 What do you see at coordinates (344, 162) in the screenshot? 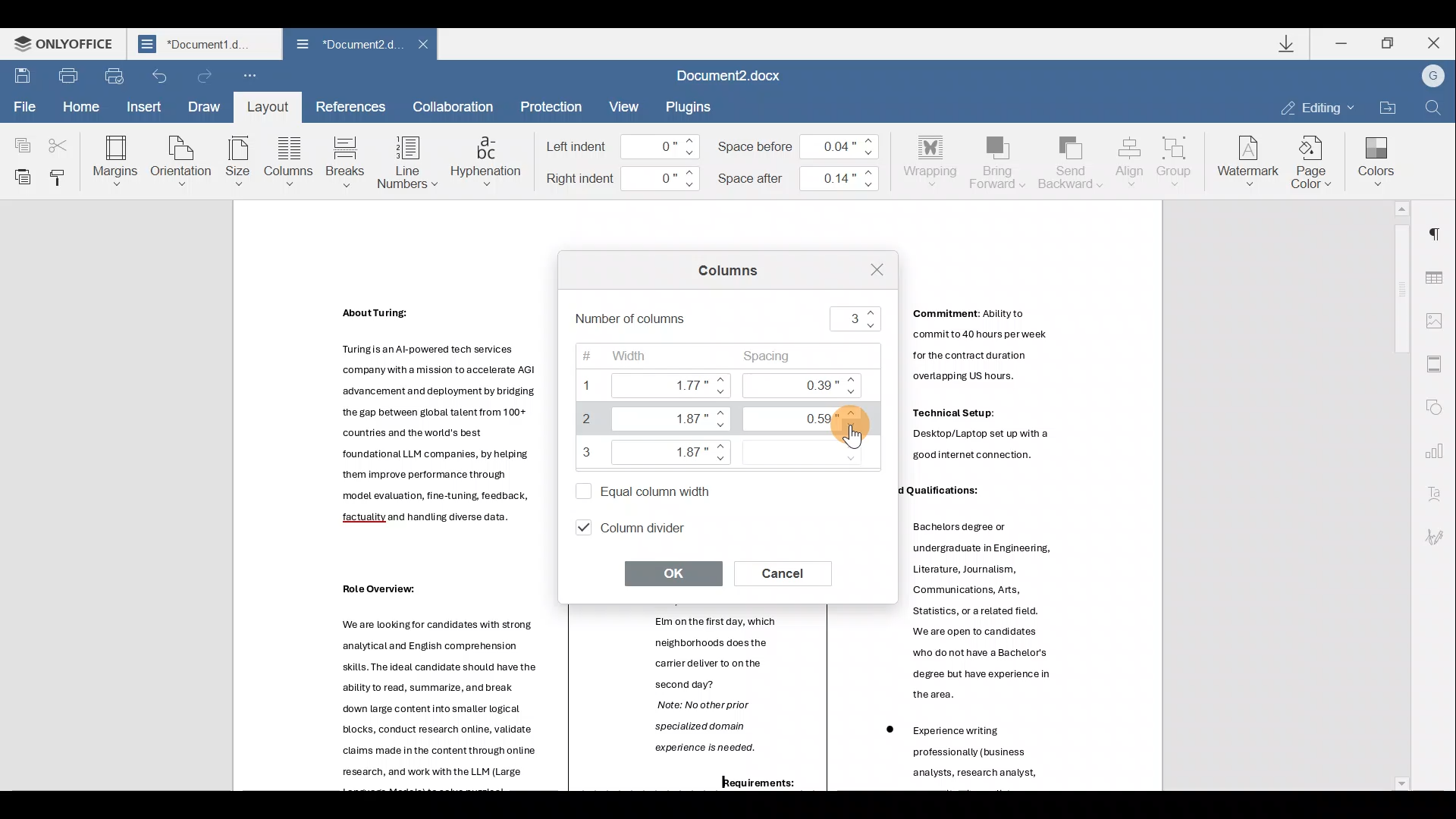
I see `Breaks` at bounding box center [344, 162].